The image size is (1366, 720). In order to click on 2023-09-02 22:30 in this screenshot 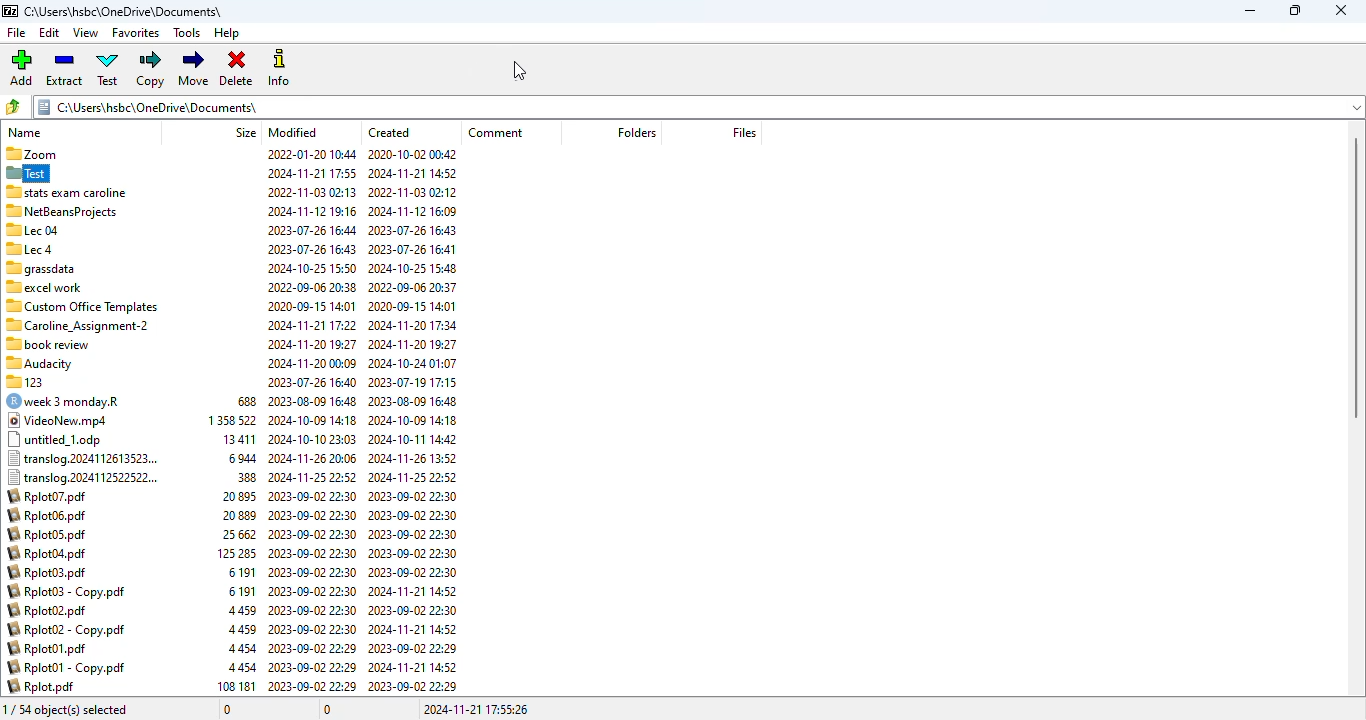, I will do `click(413, 611)`.